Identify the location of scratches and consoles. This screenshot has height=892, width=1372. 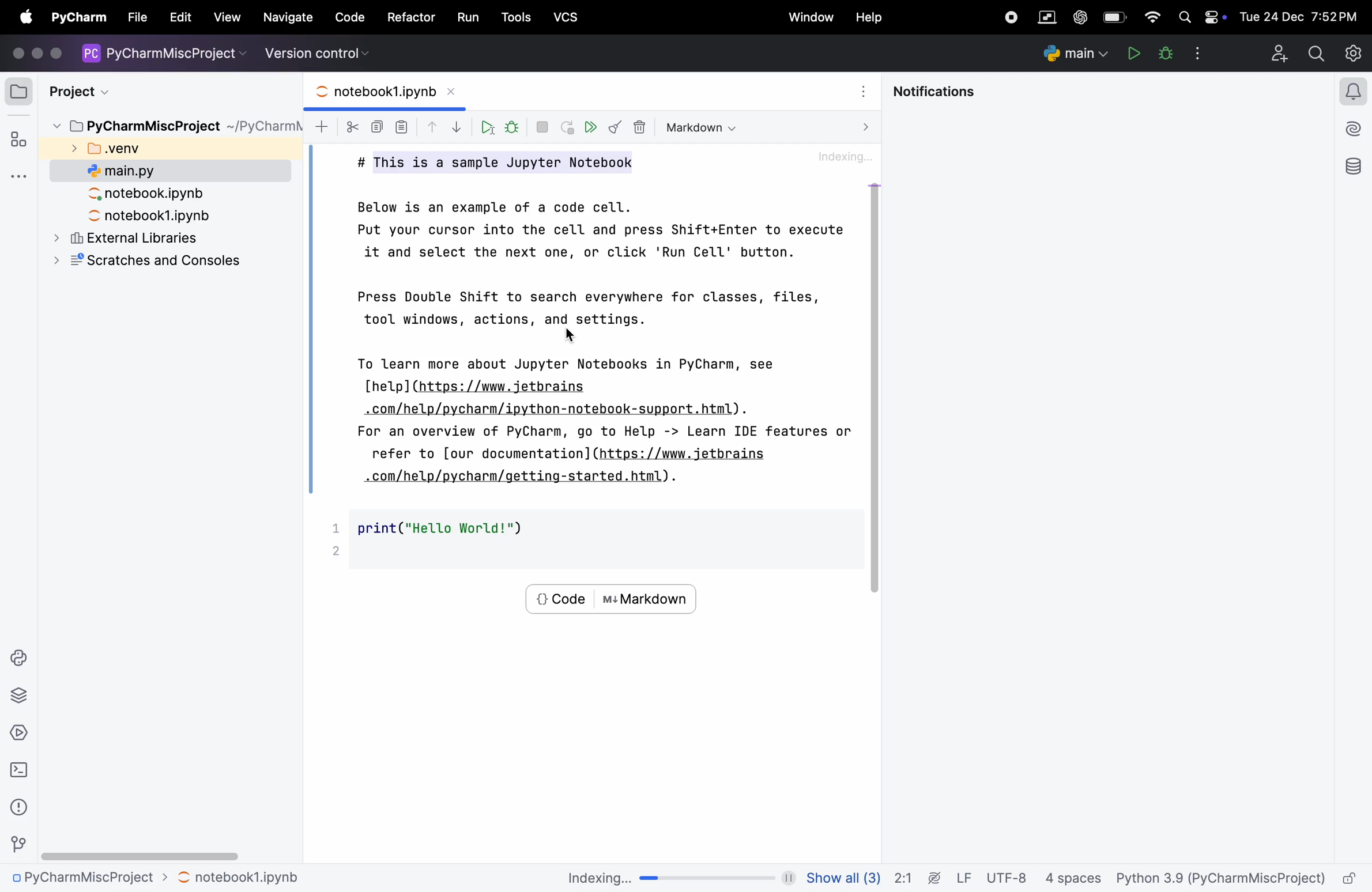
(172, 260).